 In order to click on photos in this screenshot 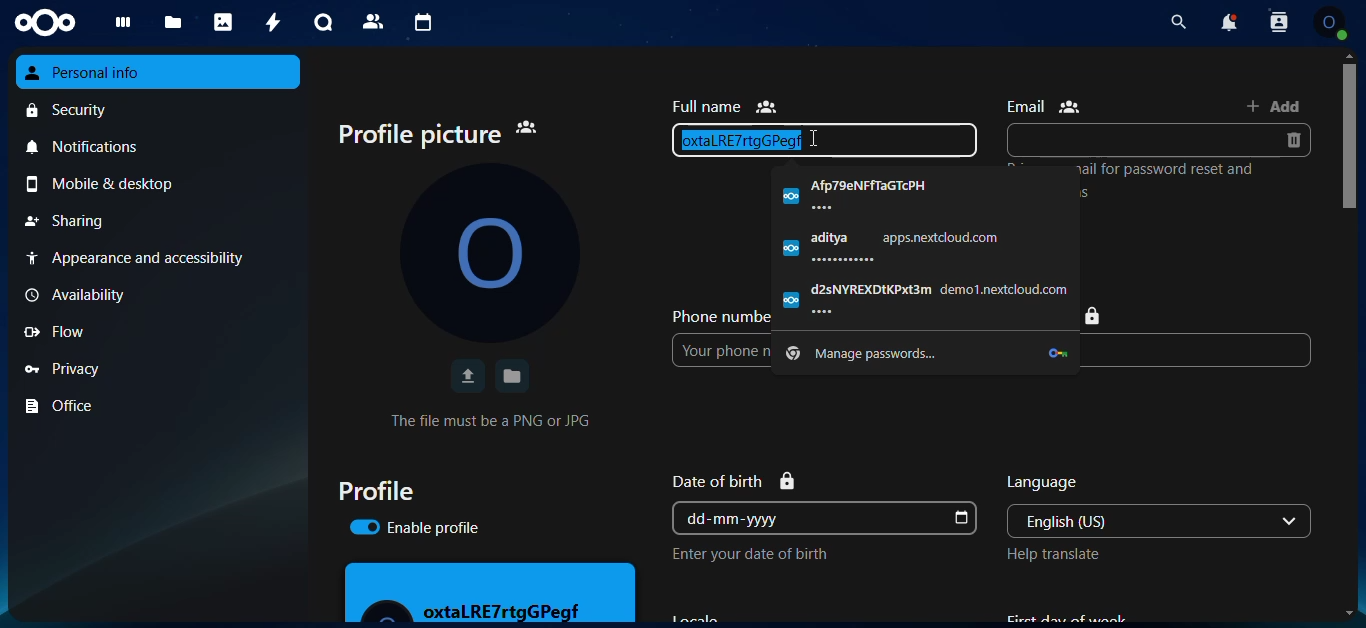, I will do `click(221, 22)`.